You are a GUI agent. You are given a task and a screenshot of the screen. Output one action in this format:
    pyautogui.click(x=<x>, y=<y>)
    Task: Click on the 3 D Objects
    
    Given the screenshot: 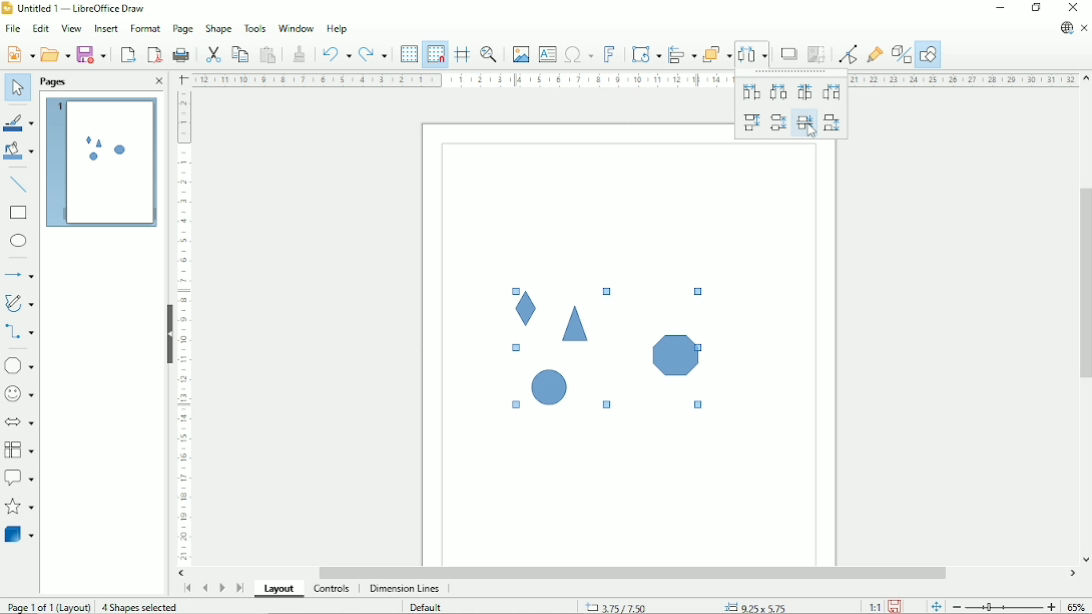 What is the action you would take?
    pyautogui.click(x=20, y=535)
    